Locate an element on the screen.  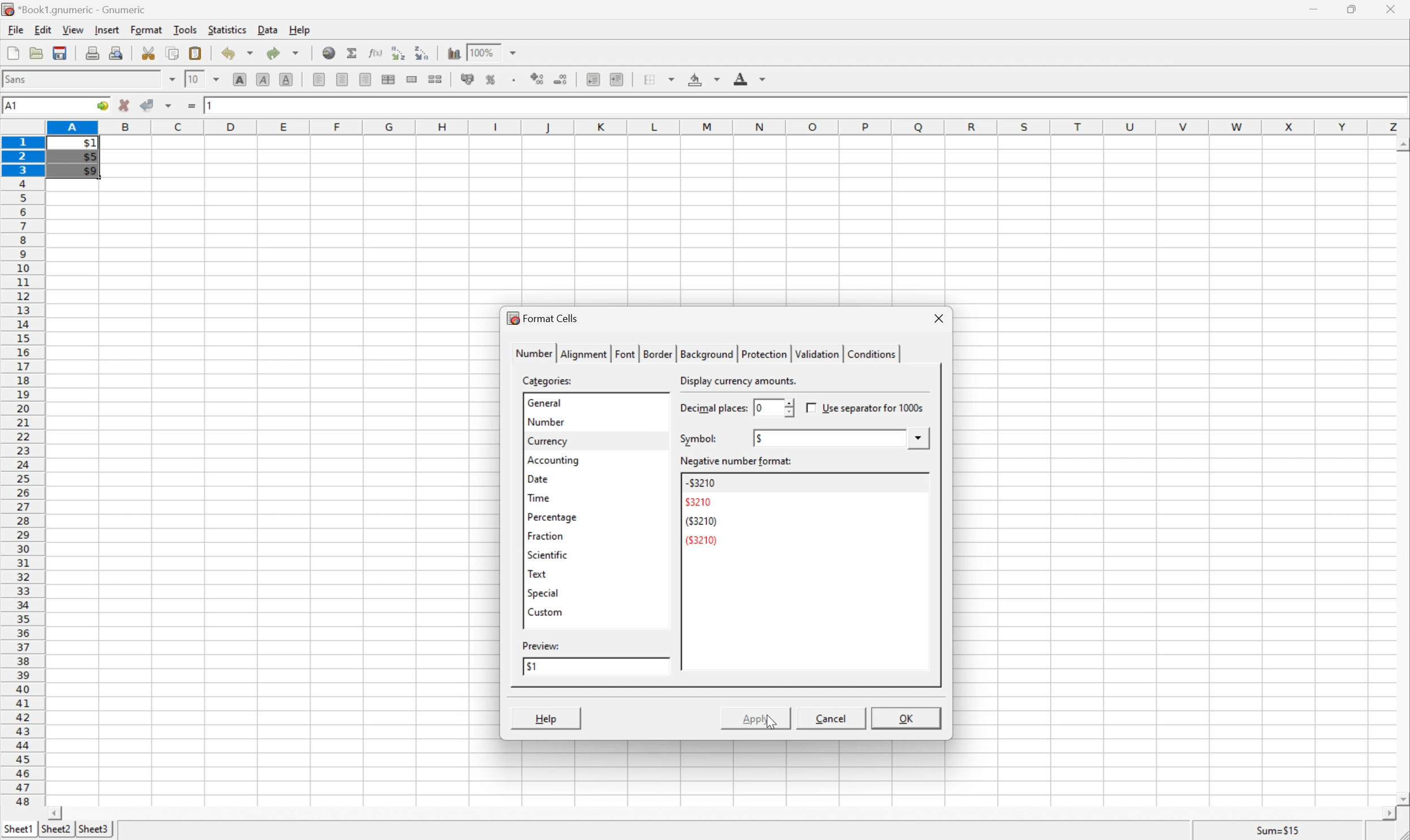
OK is located at coordinates (907, 720).